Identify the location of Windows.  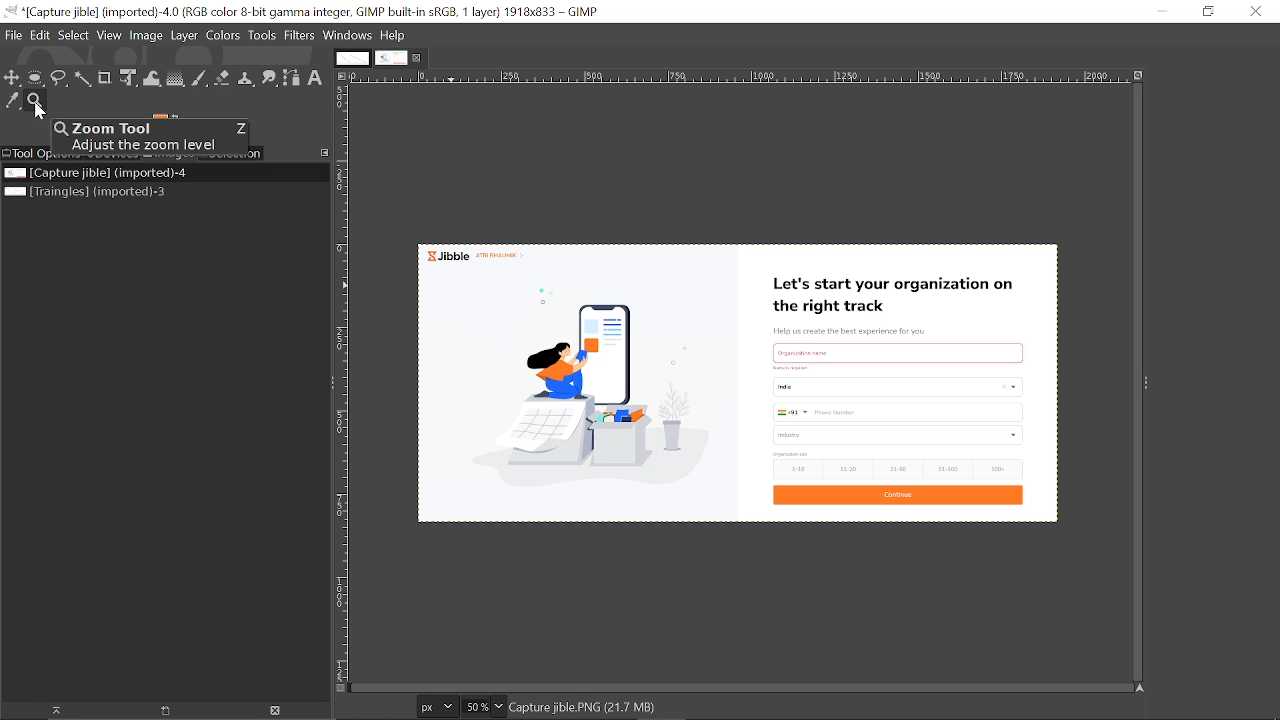
(346, 36).